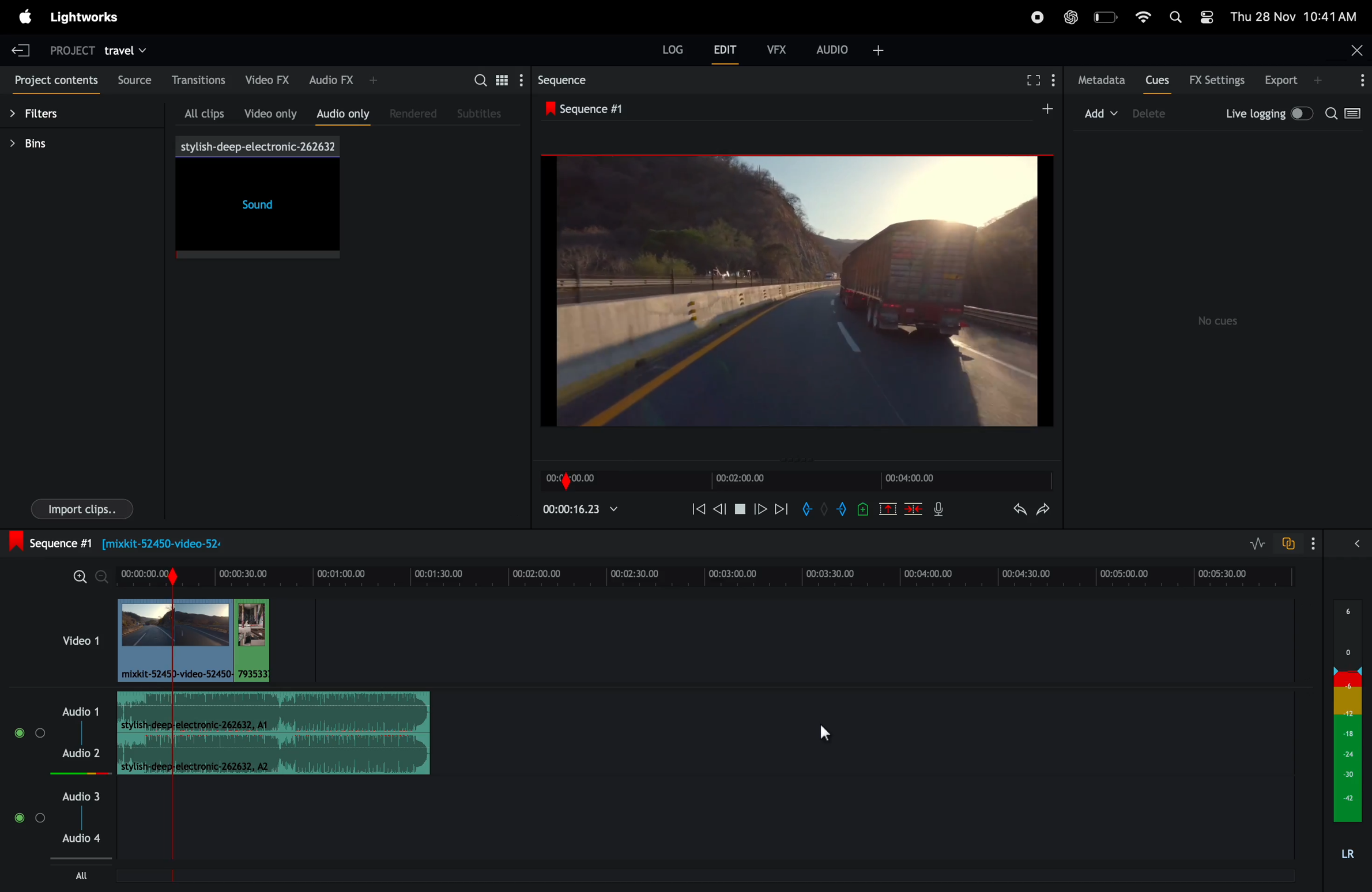 The image size is (1372, 892). I want to click on Mute/Unmute track, so click(24, 733).